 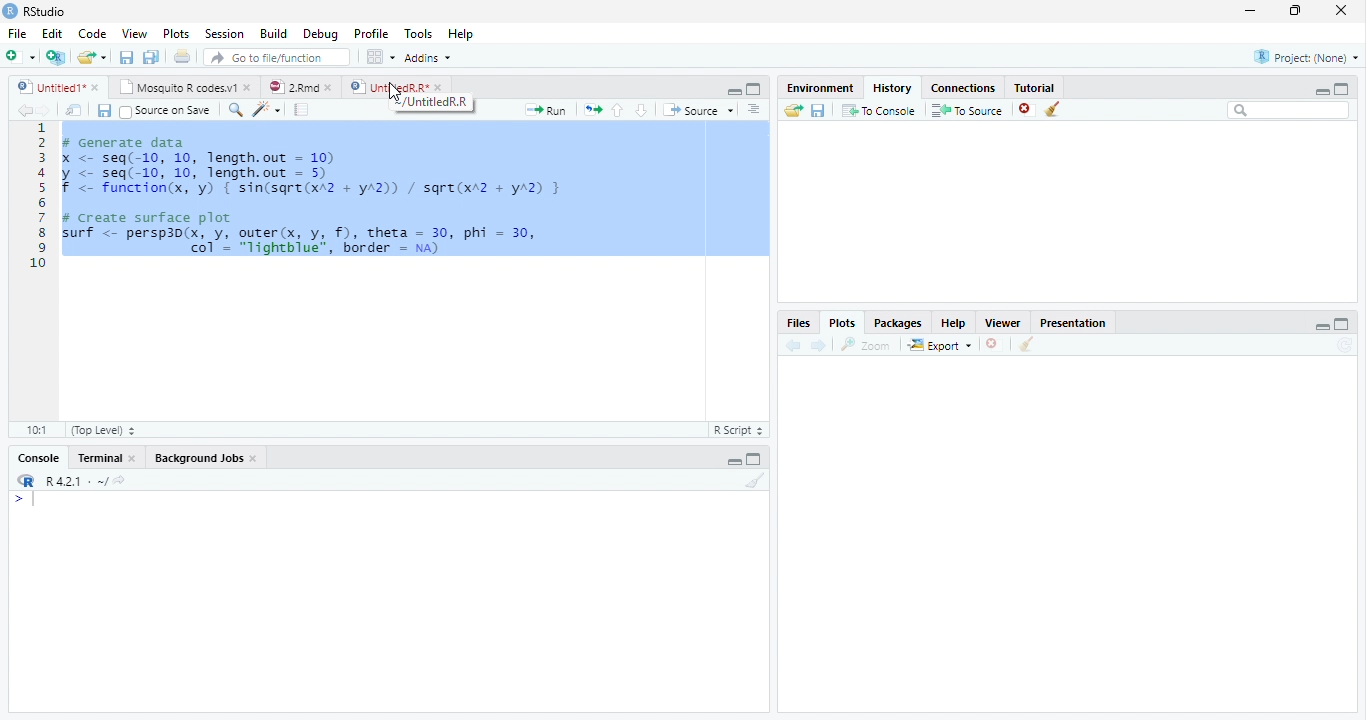 What do you see at coordinates (125, 56) in the screenshot?
I see `Save current document` at bounding box center [125, 56].